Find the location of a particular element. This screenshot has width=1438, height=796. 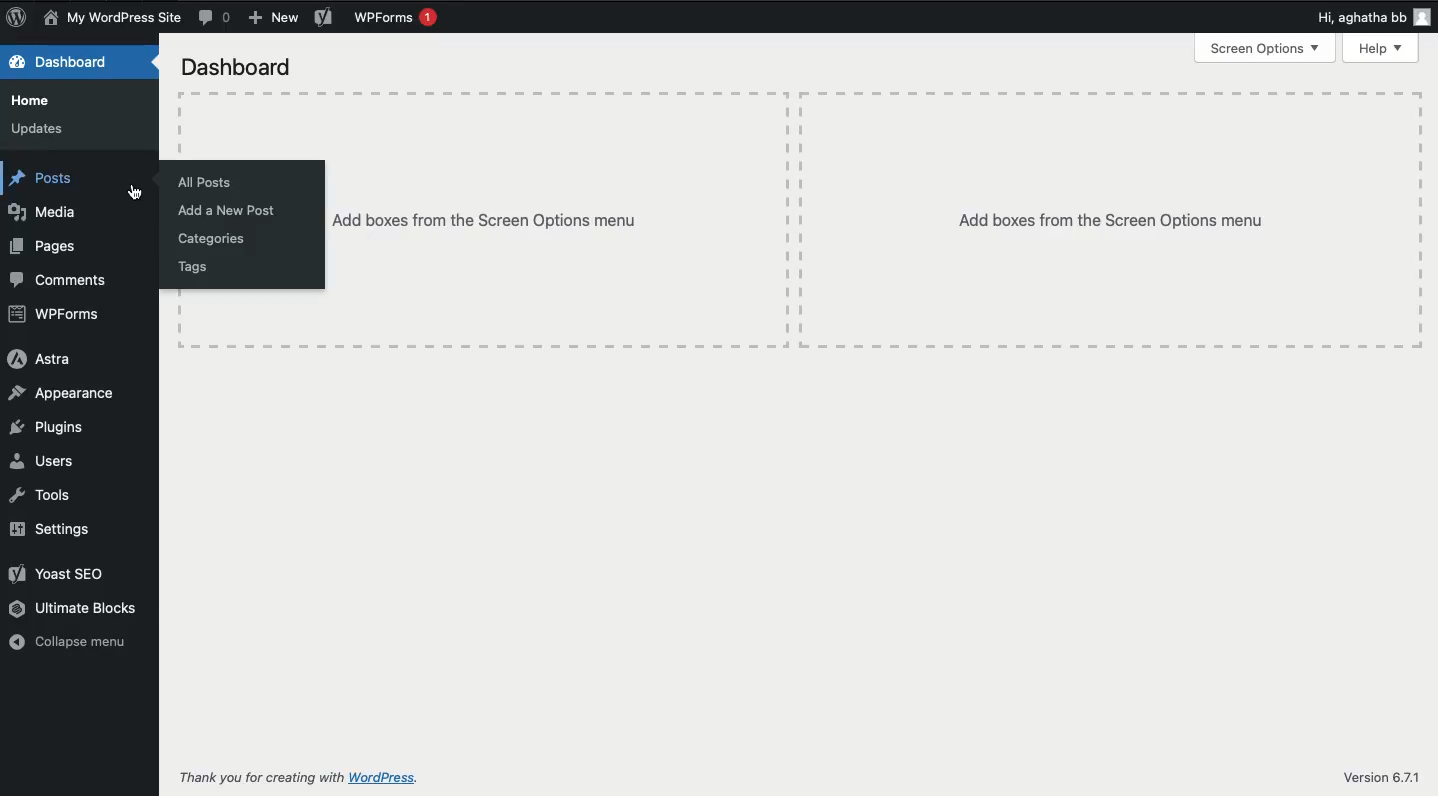

Posts is located at coordinates (51, 180).